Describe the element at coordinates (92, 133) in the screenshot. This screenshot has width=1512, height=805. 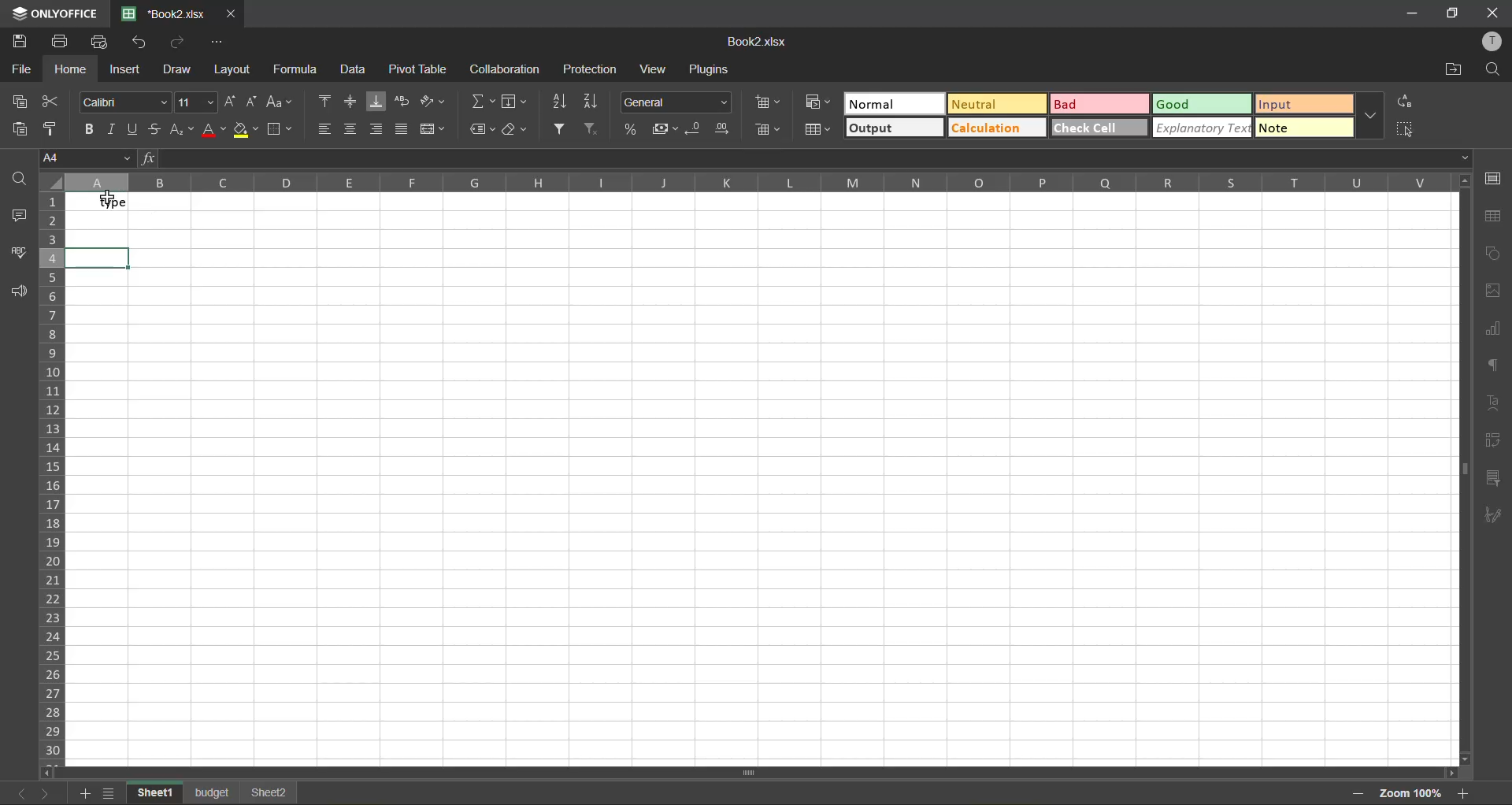
I see `bold` at that location.